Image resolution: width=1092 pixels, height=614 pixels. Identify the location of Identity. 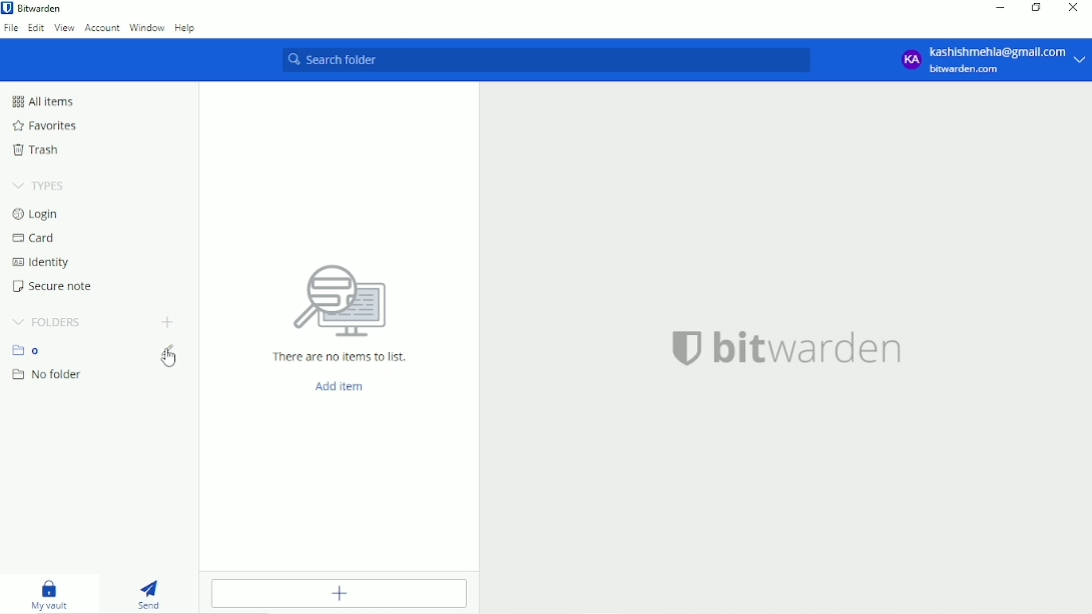
(41, 262).